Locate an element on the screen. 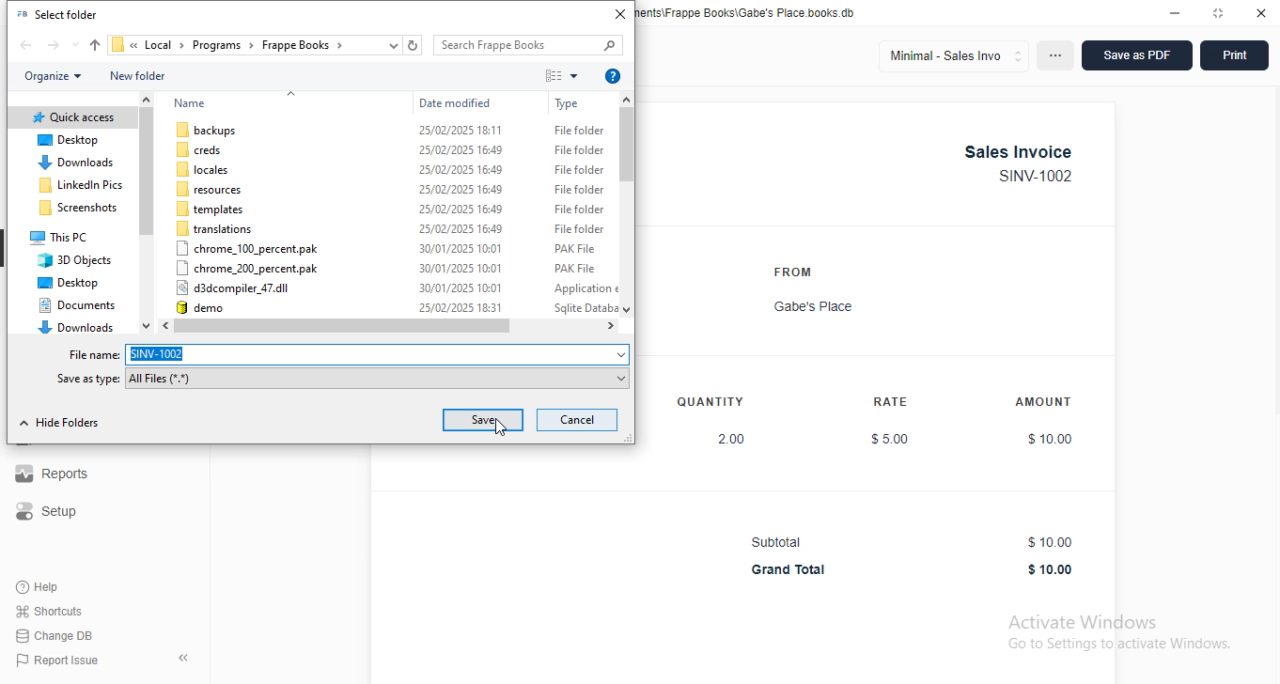 The height and width of the screenshot is (684, 1280). this PC is located at coordinates (59, 238).